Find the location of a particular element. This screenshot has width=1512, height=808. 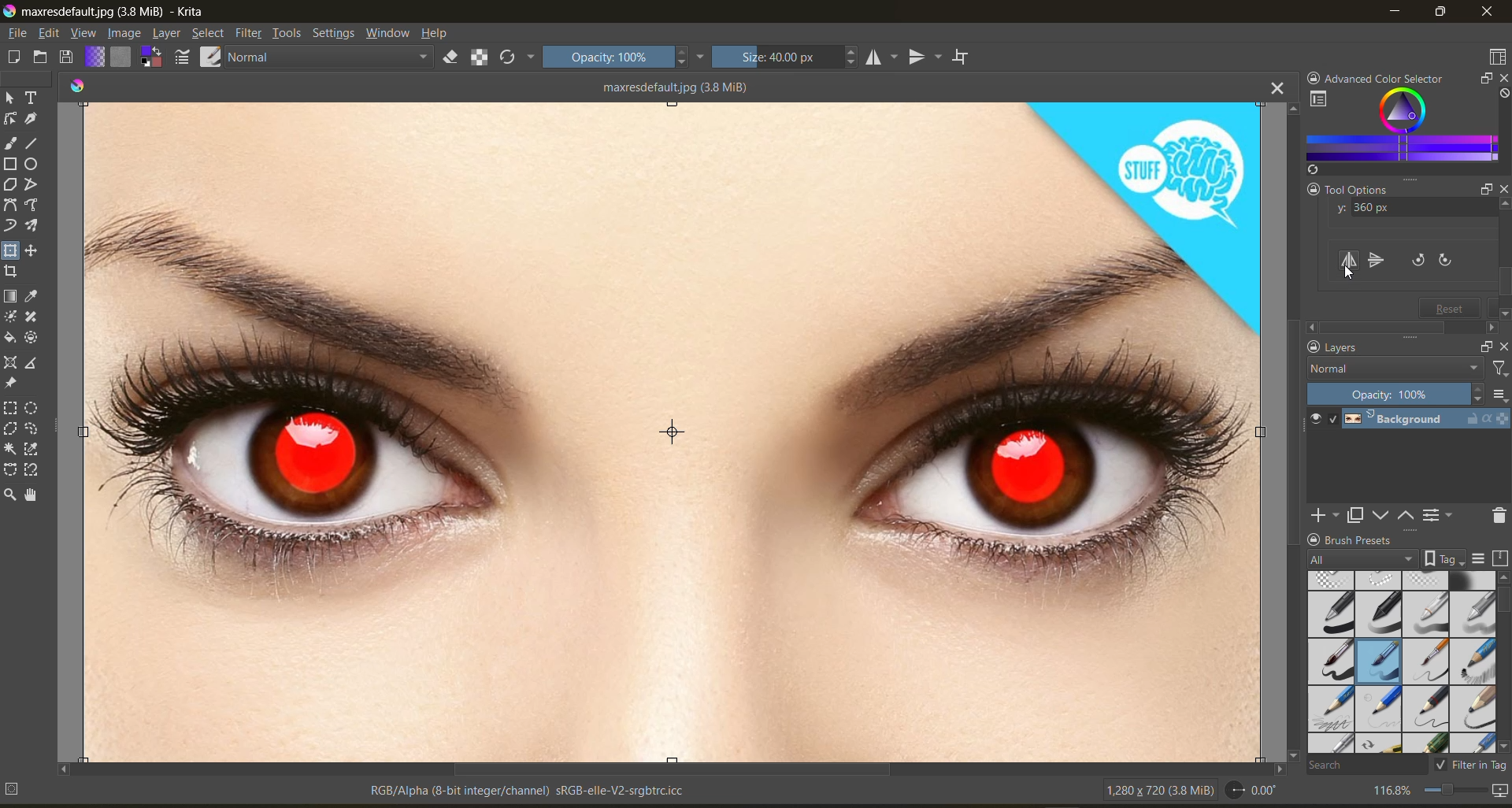

create is located at coordinates (13, 59).